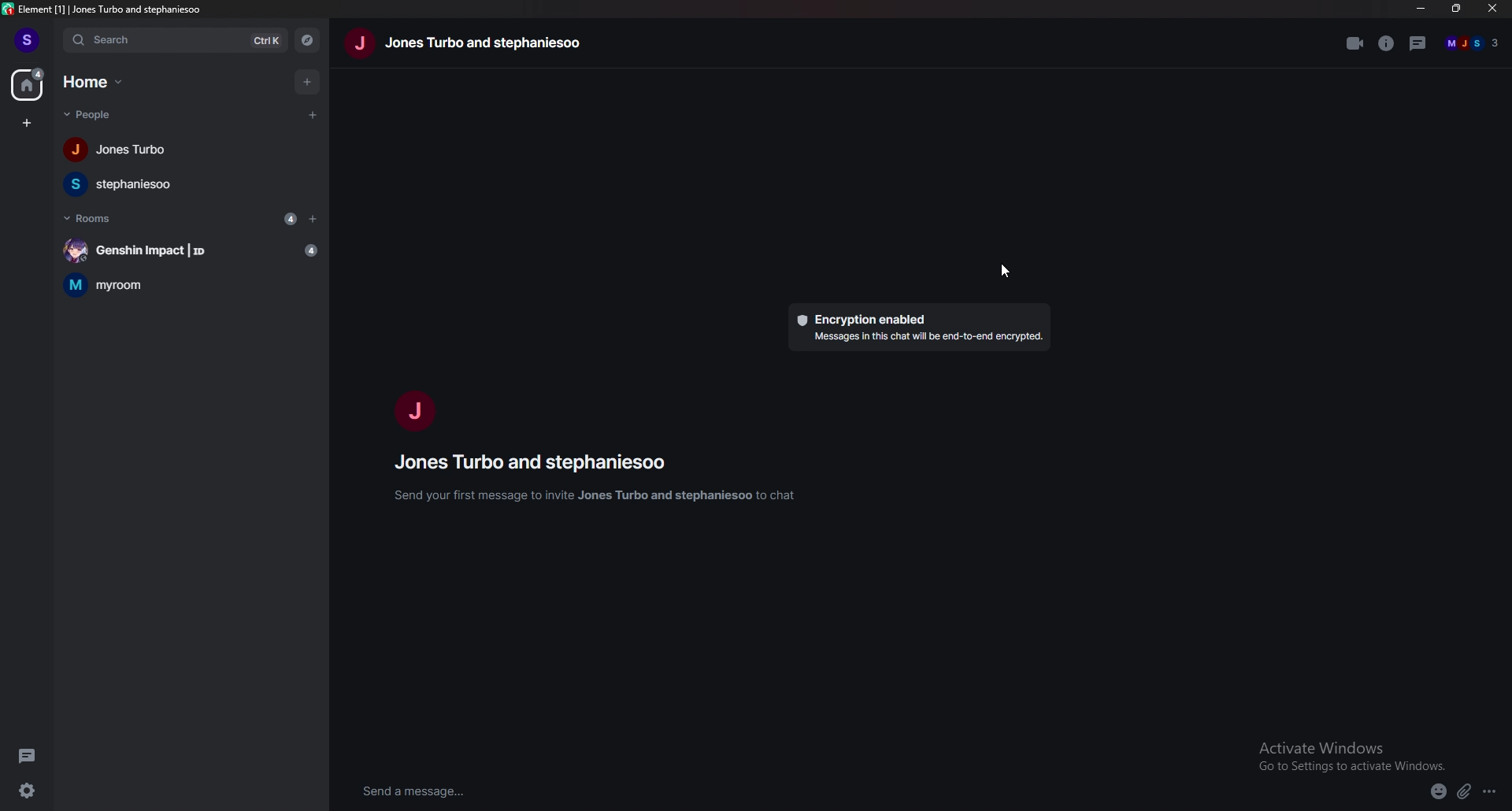 The image size is (1512, 811). I want to click on ctrl k, so click(268, 43).